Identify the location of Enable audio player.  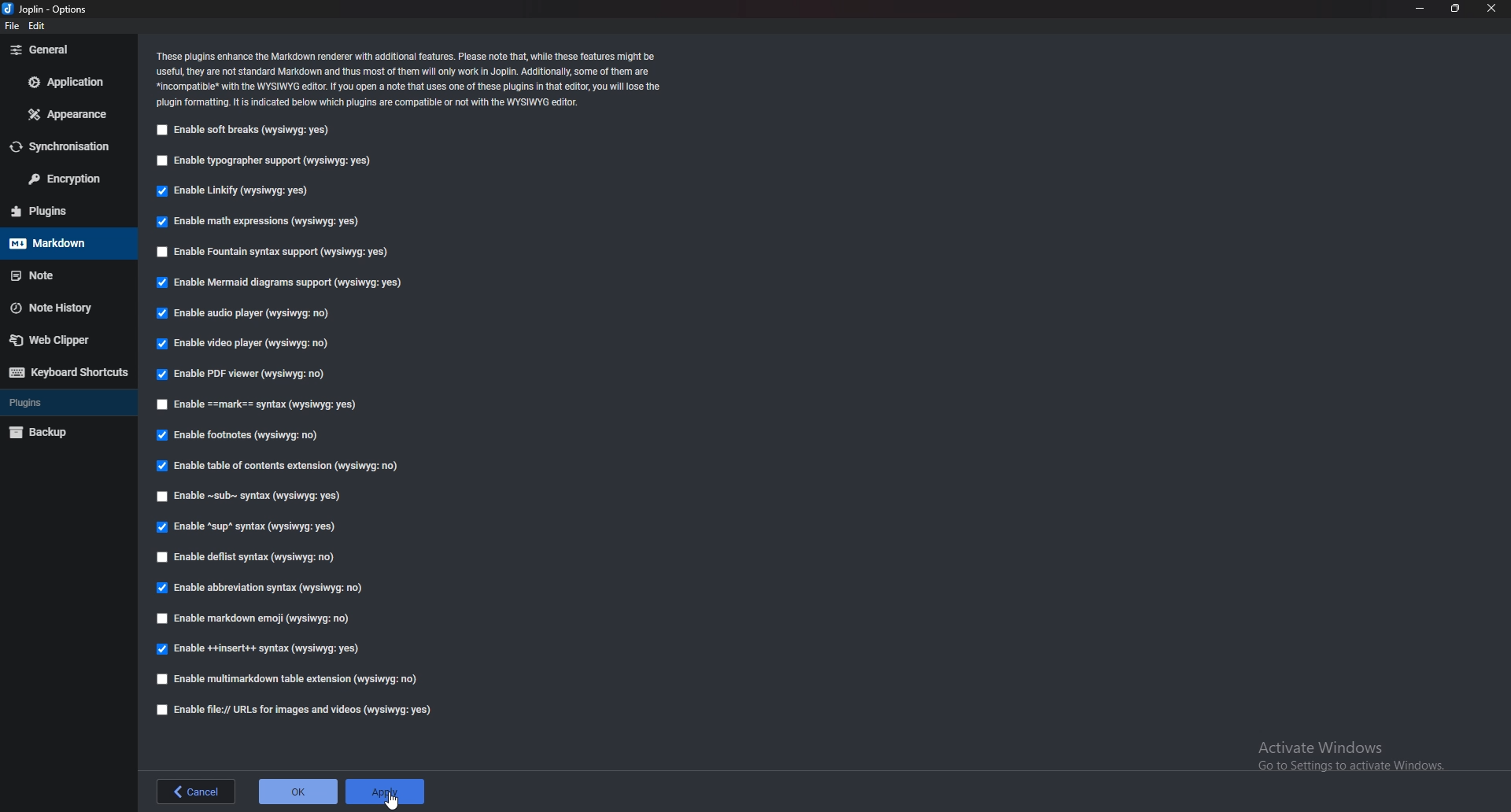
(246, 316).